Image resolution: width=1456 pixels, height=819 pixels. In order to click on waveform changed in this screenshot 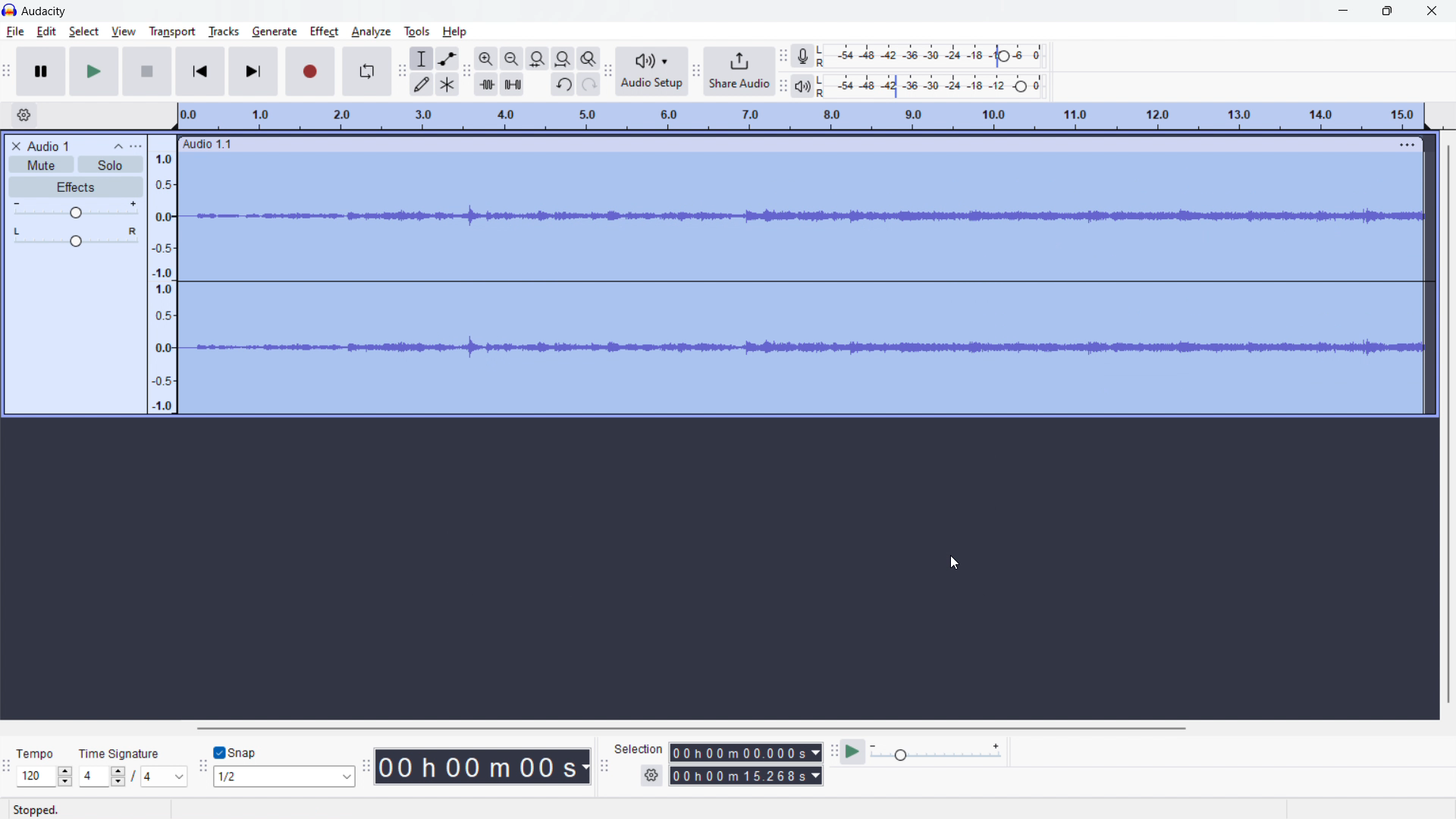, I will do `click(800, 218)`.